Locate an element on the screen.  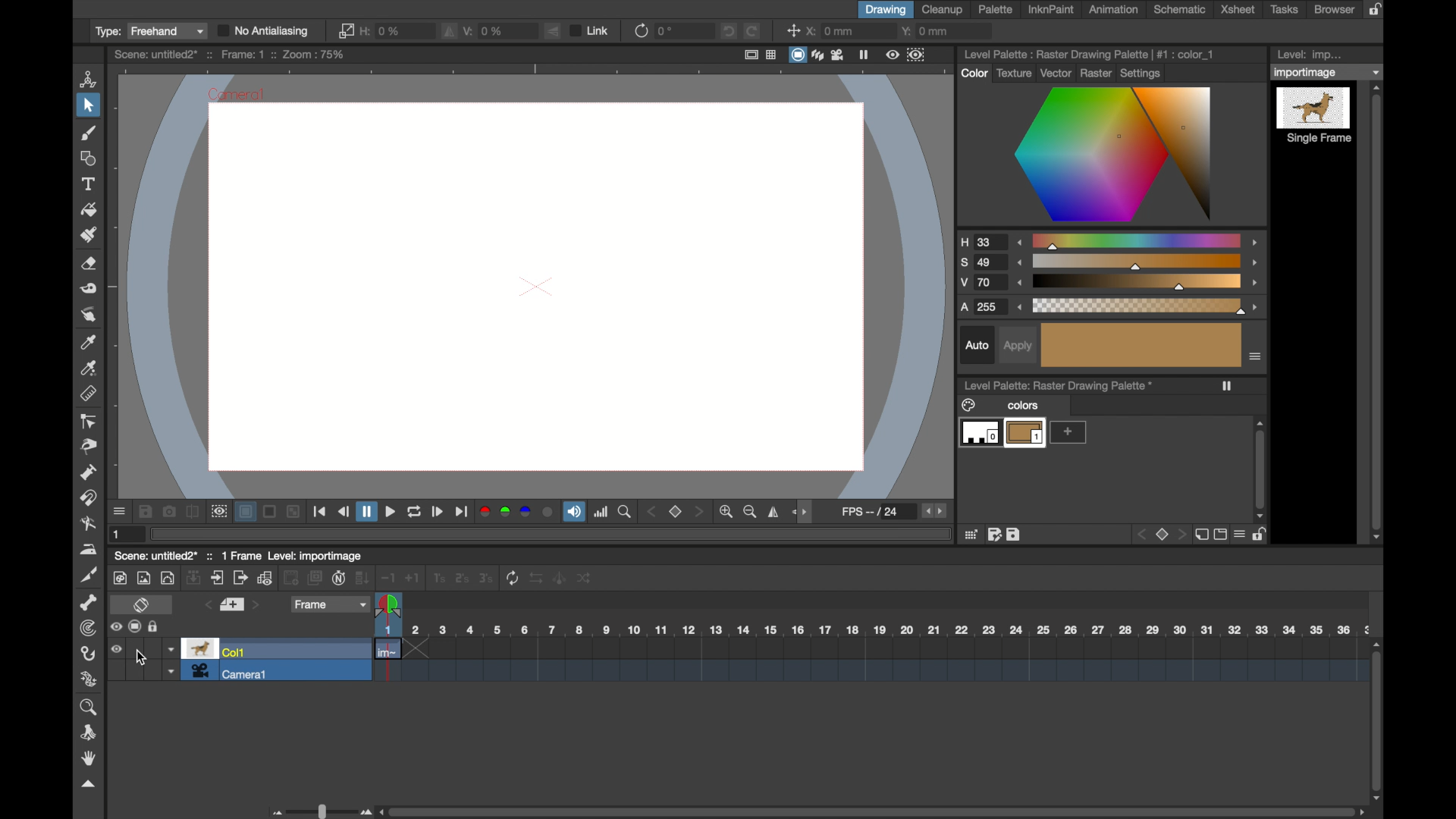
zoom in is located at coordinates (729, 512).